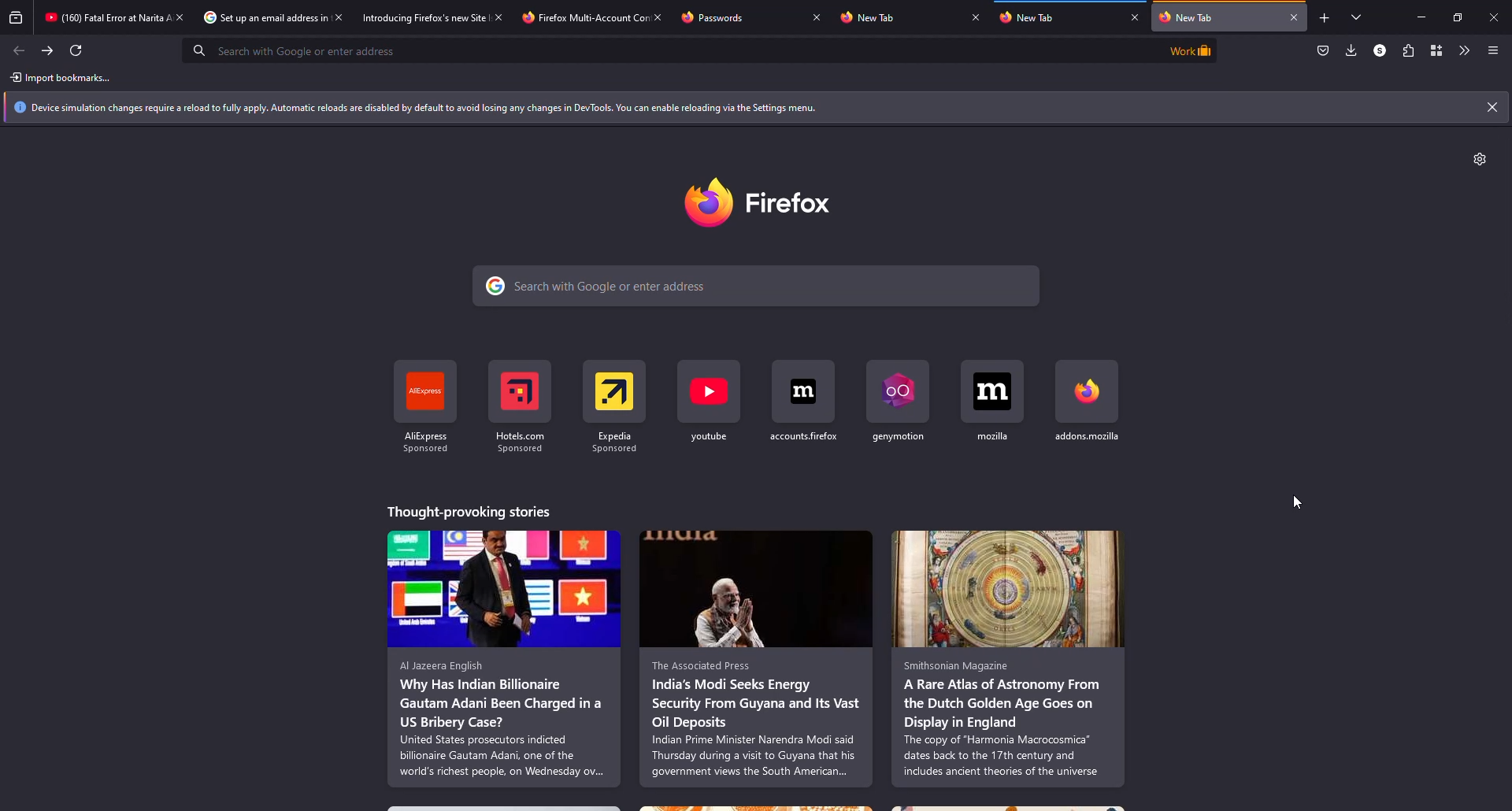  What do you see at coordinates (1492, 107) in the screenshot?
I see `close` at bounding box center [1492, 107].